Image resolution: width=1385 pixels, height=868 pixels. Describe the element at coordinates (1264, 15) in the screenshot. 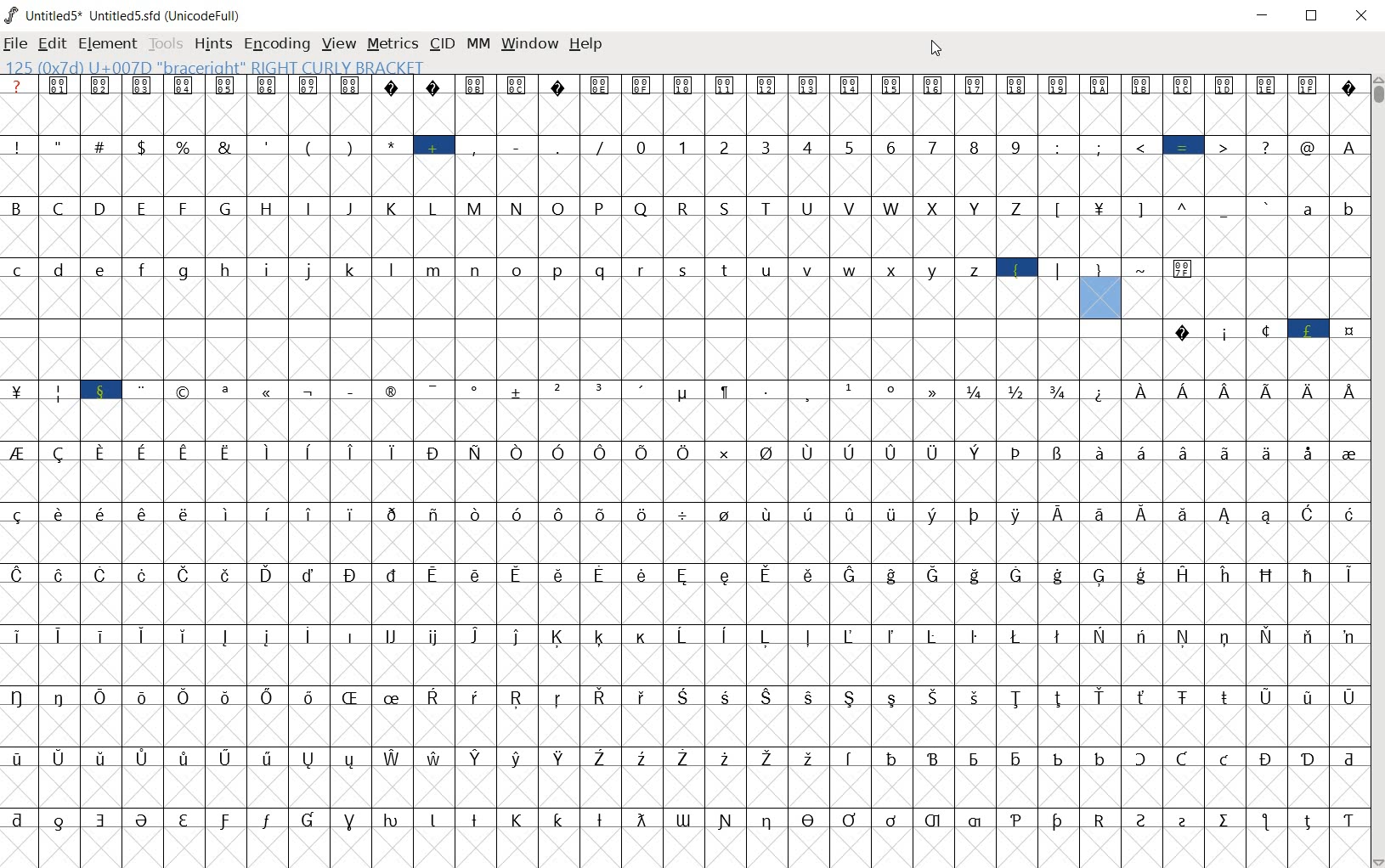

I see `MINIMIZE` at that location.